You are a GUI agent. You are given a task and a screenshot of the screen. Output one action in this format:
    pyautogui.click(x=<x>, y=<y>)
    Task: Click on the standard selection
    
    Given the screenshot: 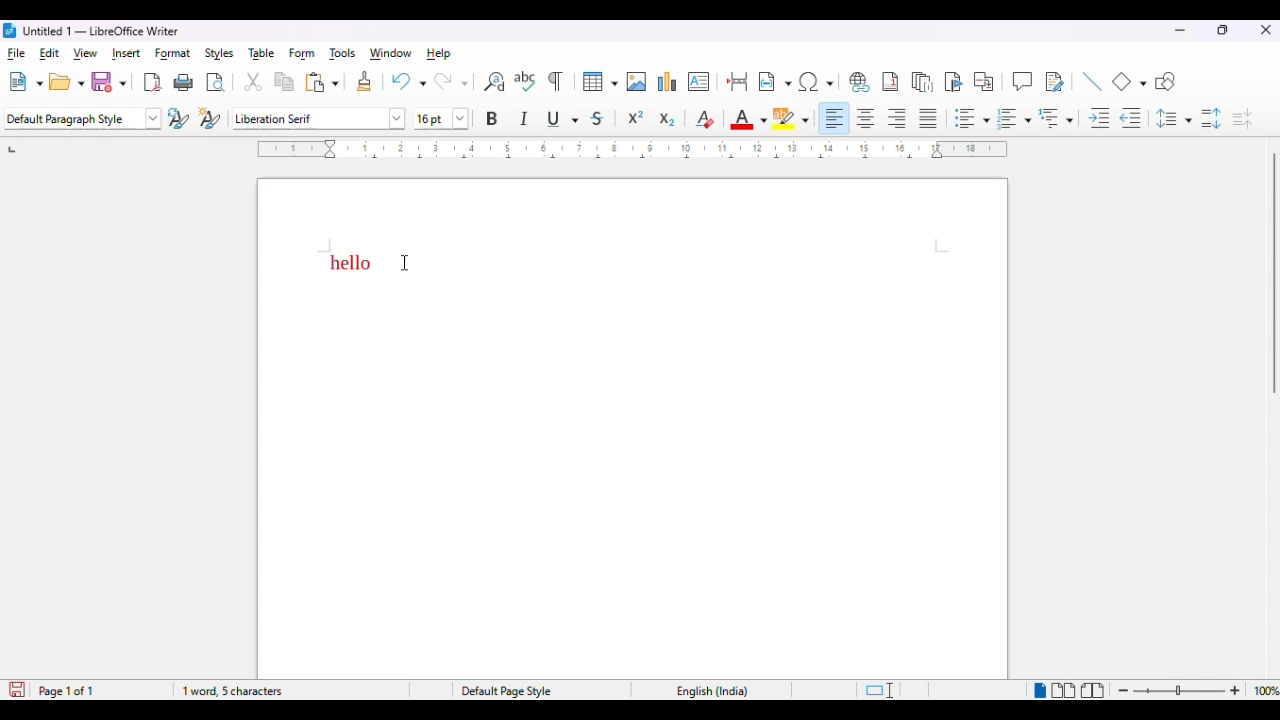 What is the action you would take?
    pyautogui.click(x=878, y=691)
    